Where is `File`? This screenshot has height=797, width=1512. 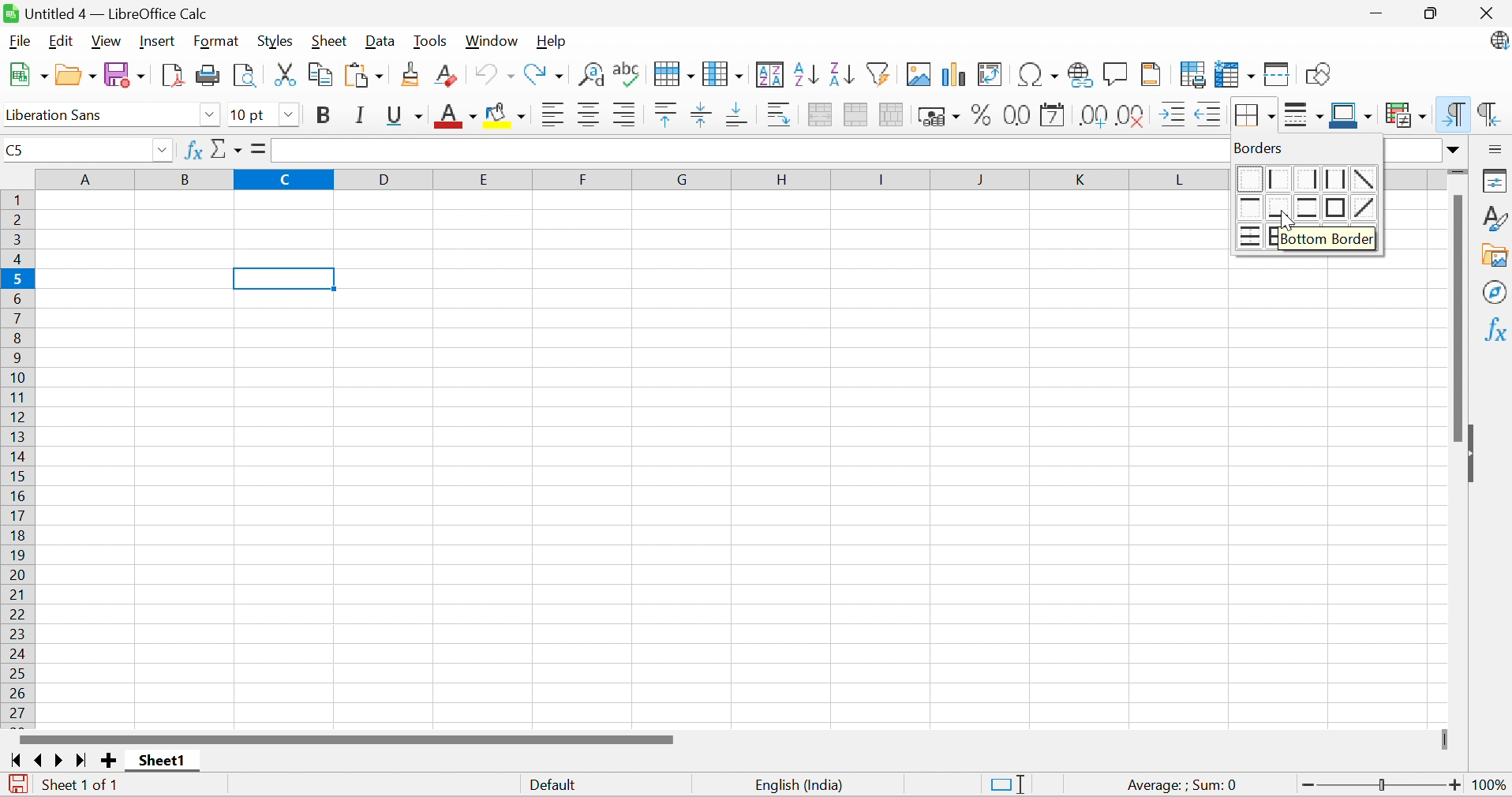 File is located at coordinates (20, 40).